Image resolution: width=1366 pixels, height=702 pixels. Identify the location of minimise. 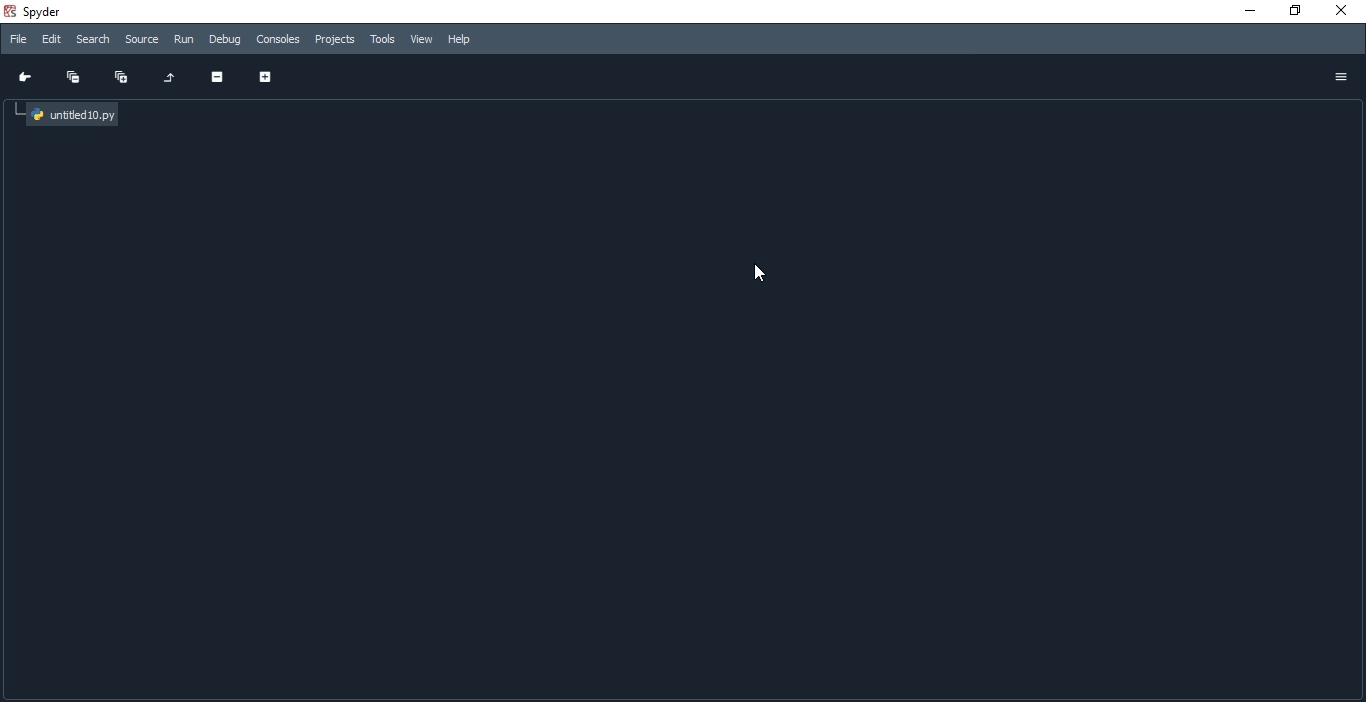
(1246, 14).